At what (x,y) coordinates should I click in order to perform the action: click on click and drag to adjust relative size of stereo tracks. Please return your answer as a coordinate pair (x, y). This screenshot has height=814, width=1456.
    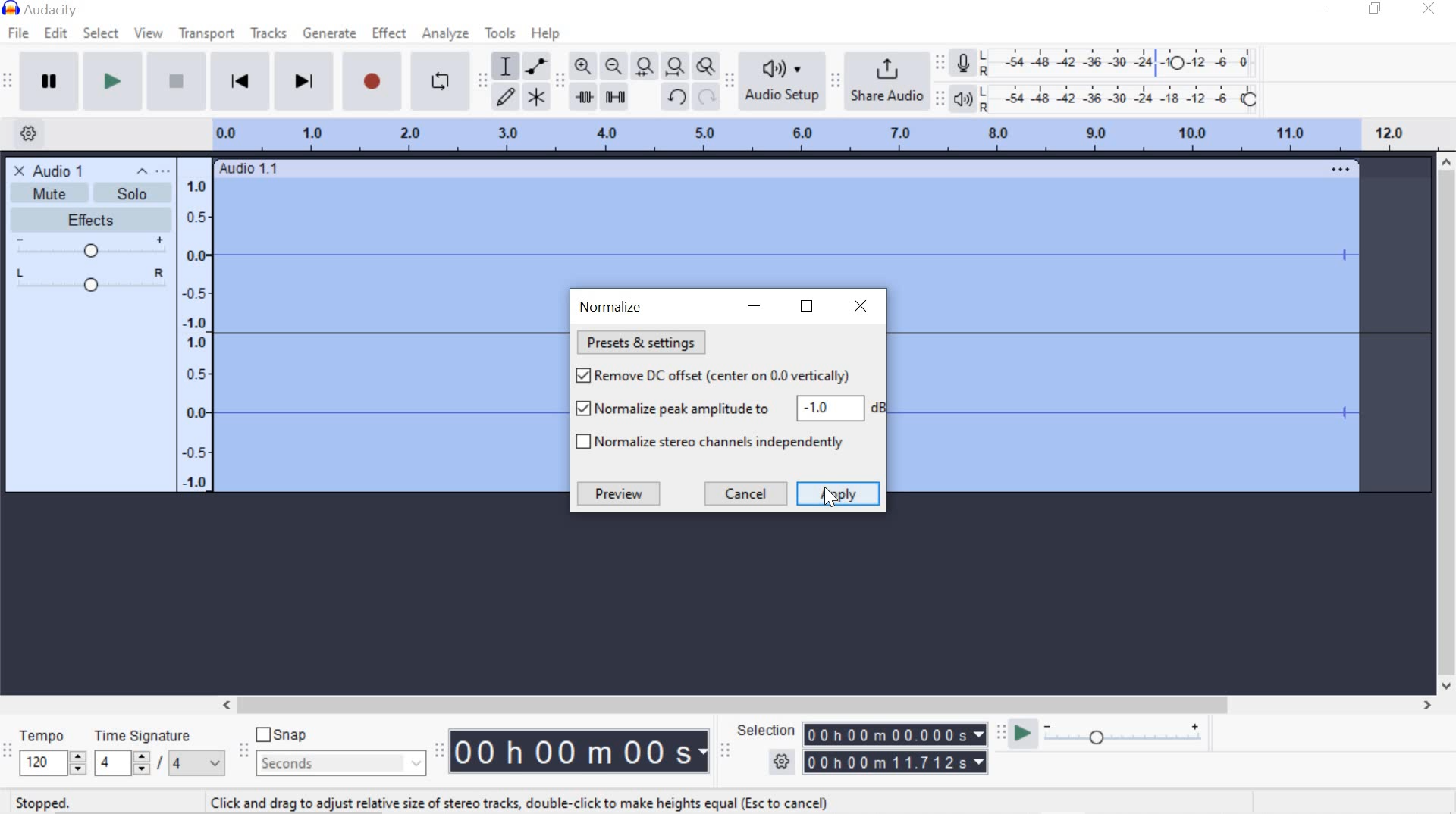
    Looking at the image, I should click on (513, 800).